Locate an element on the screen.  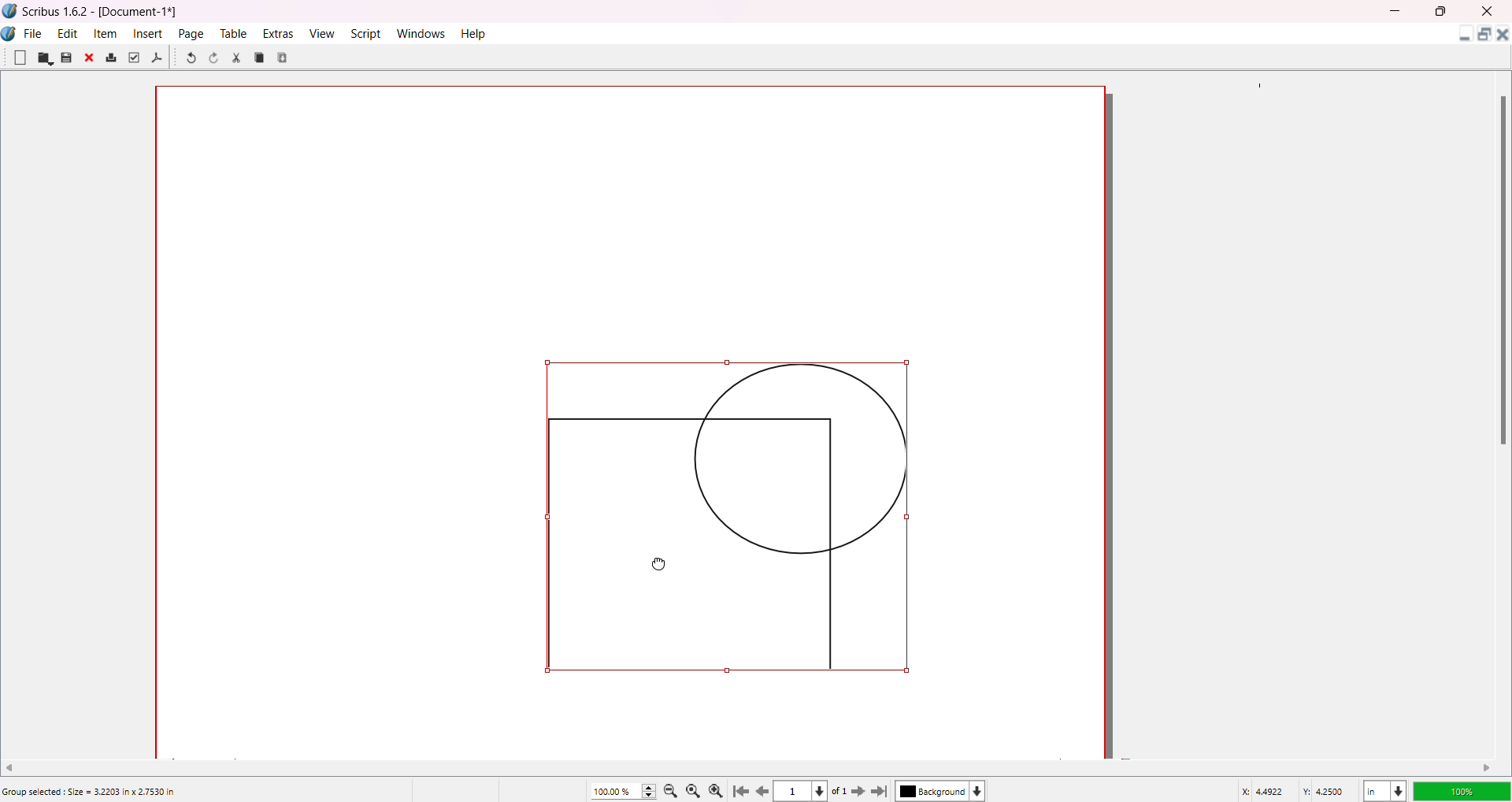
Save is located at coordinates (66, 58).